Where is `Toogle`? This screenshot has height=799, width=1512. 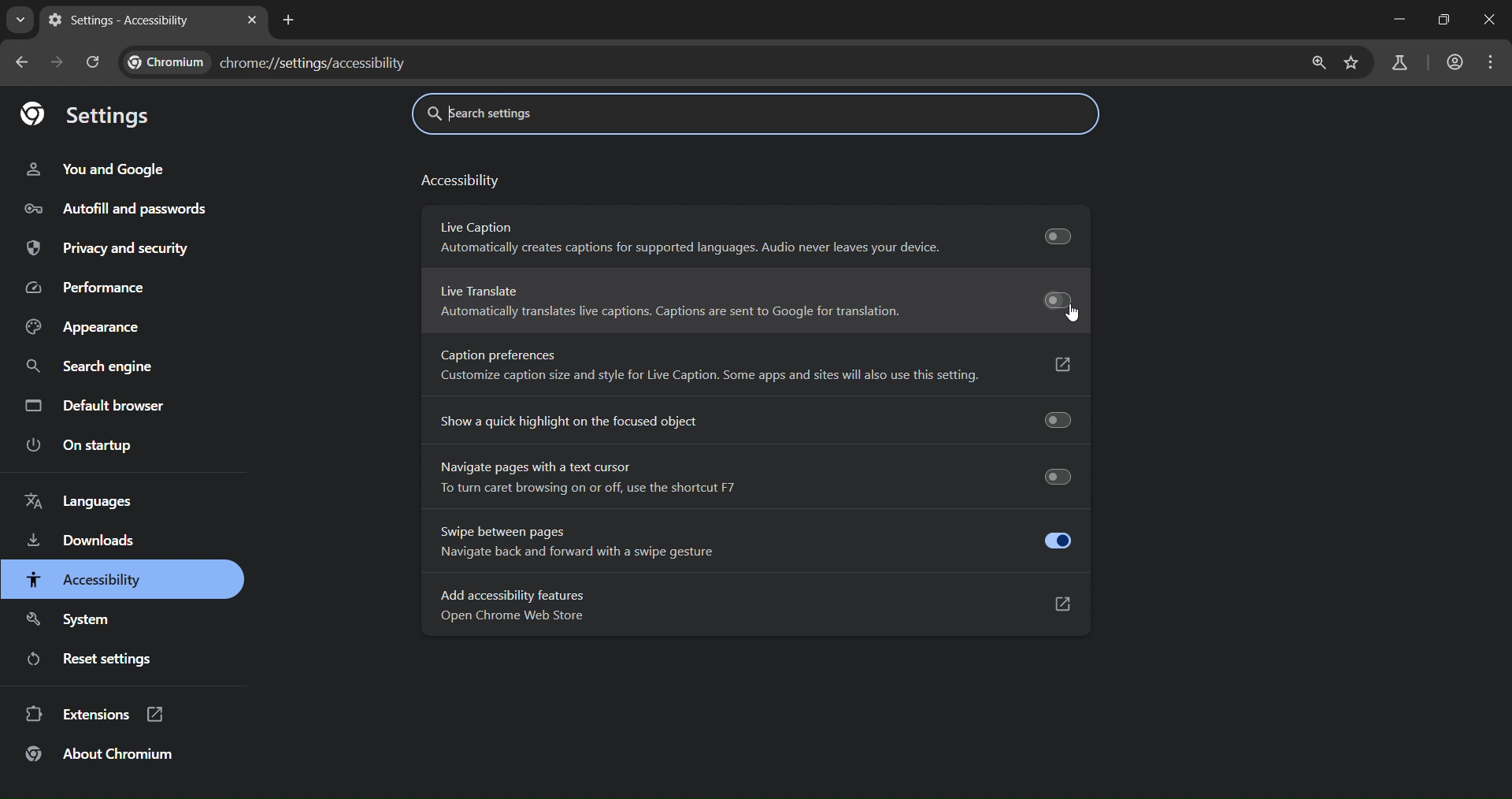
Toogle is located at coordinates (1057, 539).